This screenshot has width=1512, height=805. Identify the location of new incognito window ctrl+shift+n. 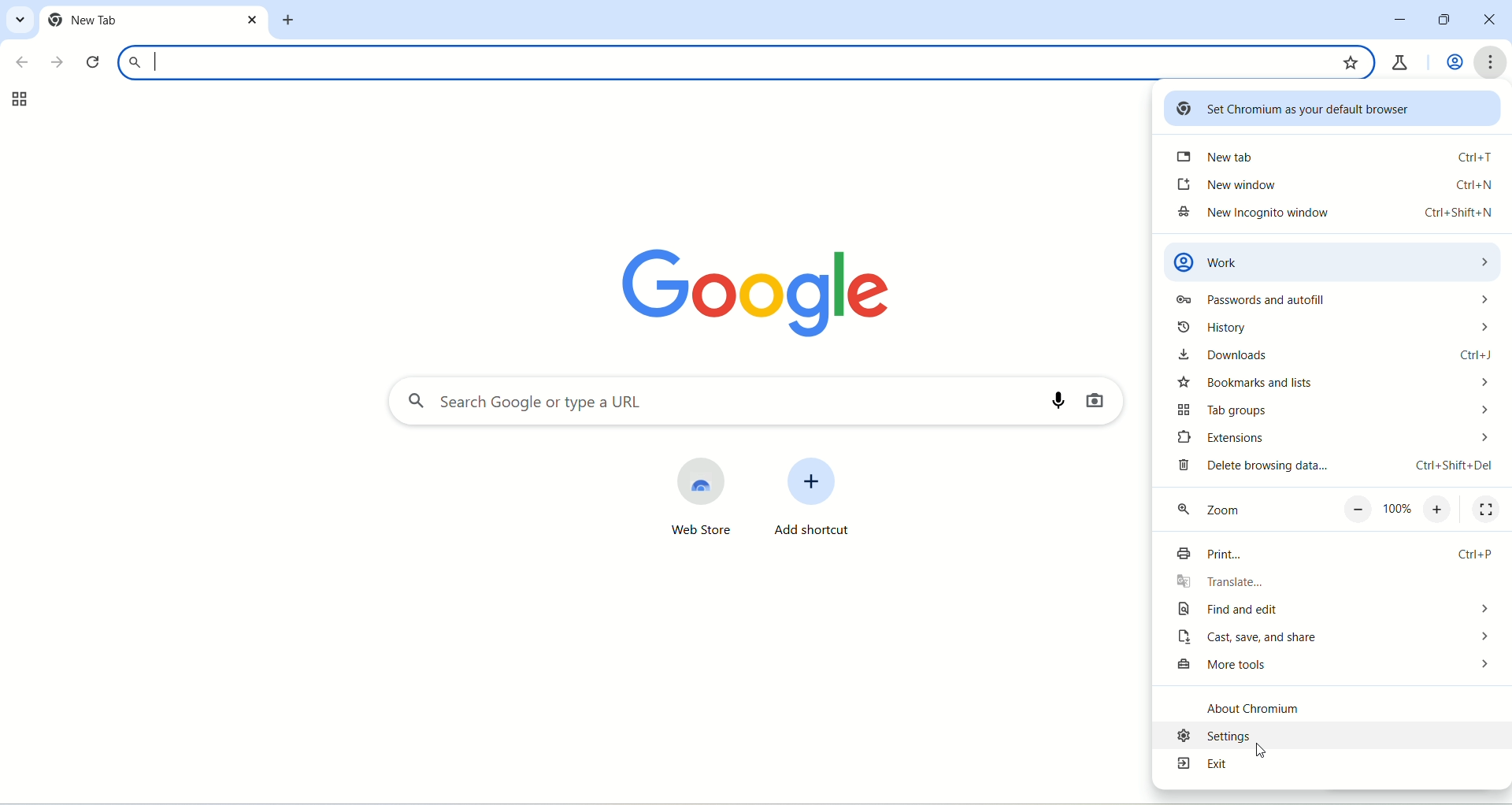
(1336, 217).